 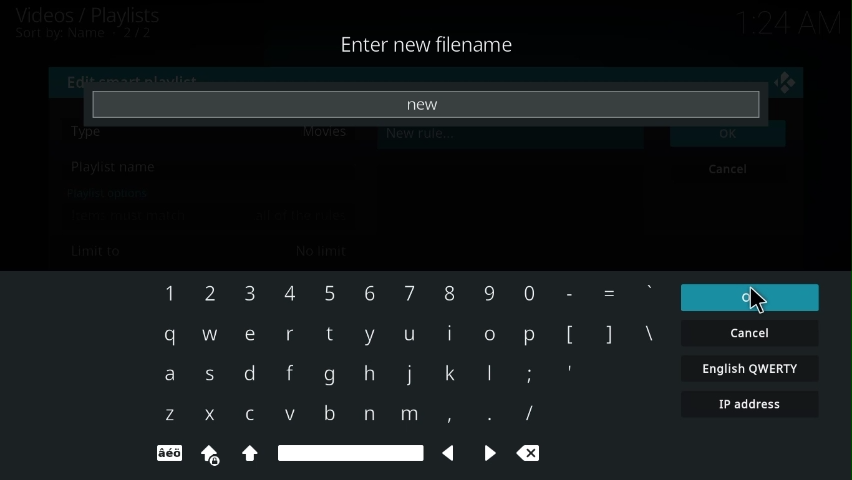 I want to click on ., so click(x=488, y=415).